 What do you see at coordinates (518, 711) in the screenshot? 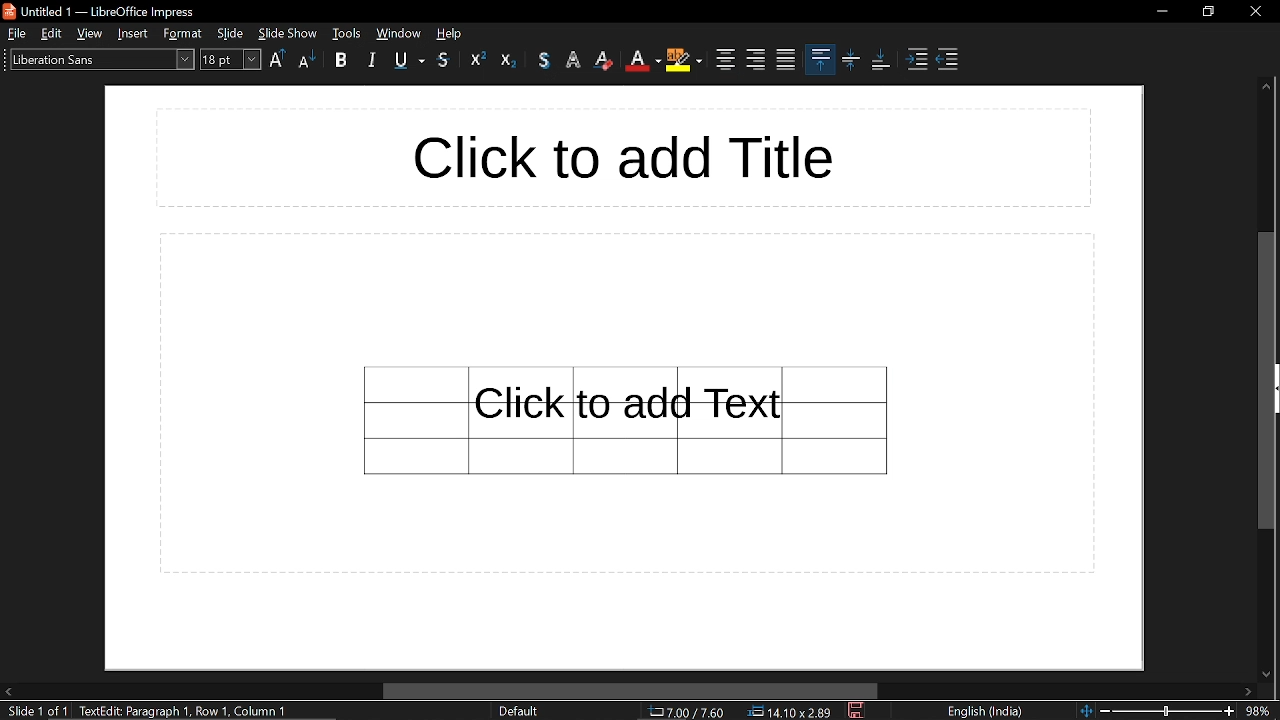
I see `slide format` at bounding box center [518, 711].